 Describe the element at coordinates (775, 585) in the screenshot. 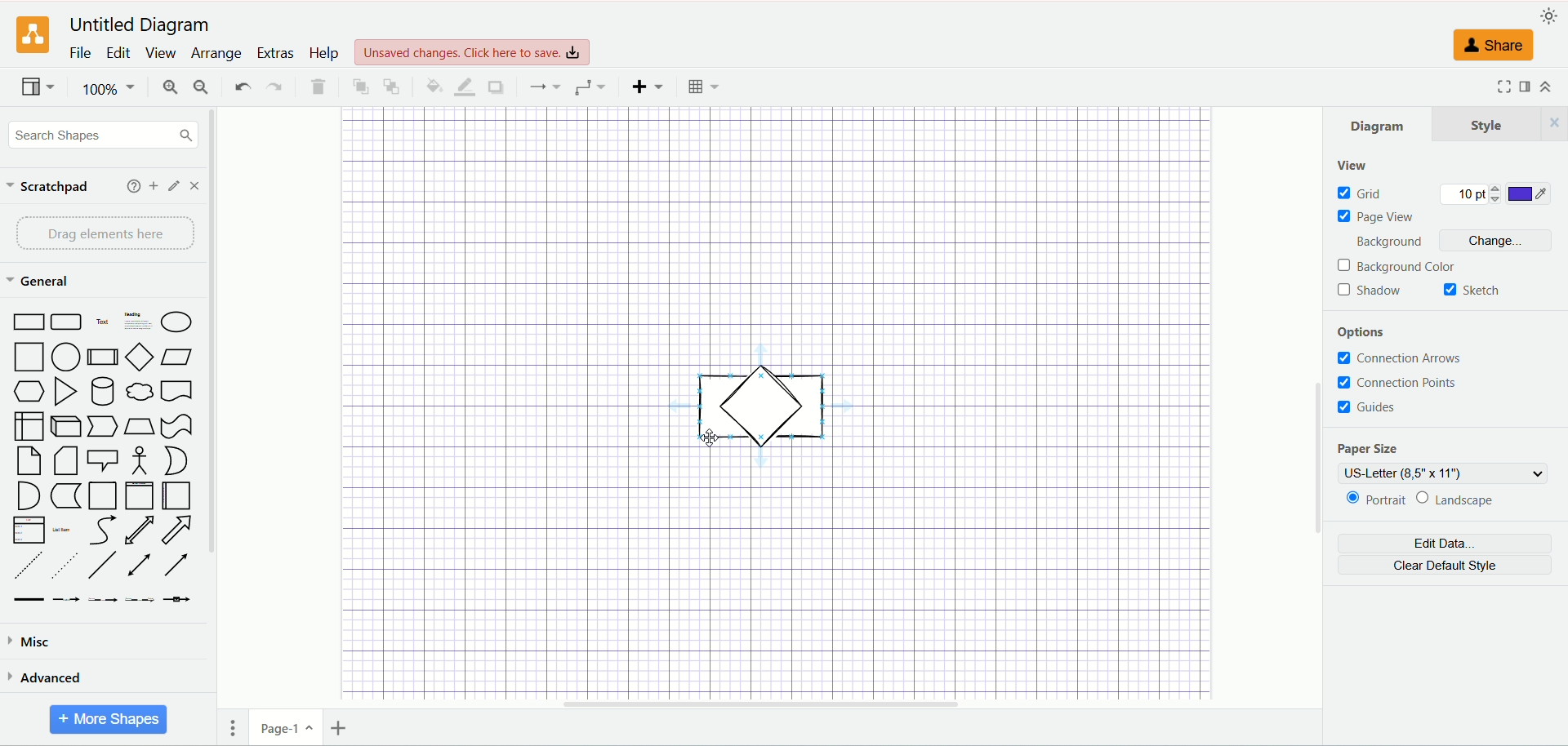

I see `canvas` at that location.